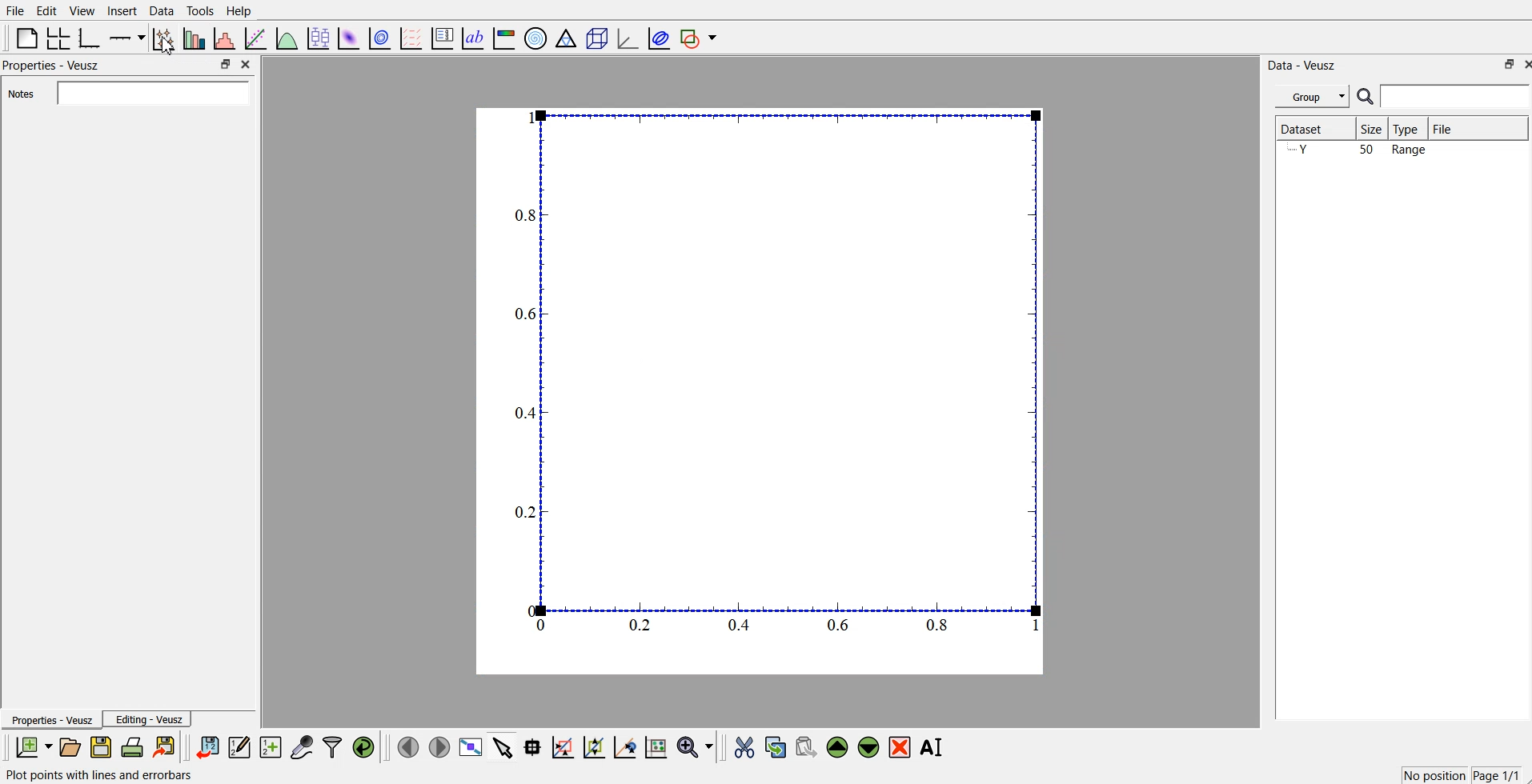  Describe the element at coordinates (380, 36) in the screenshot. I see `plot 2d datasets as contours` at that location.